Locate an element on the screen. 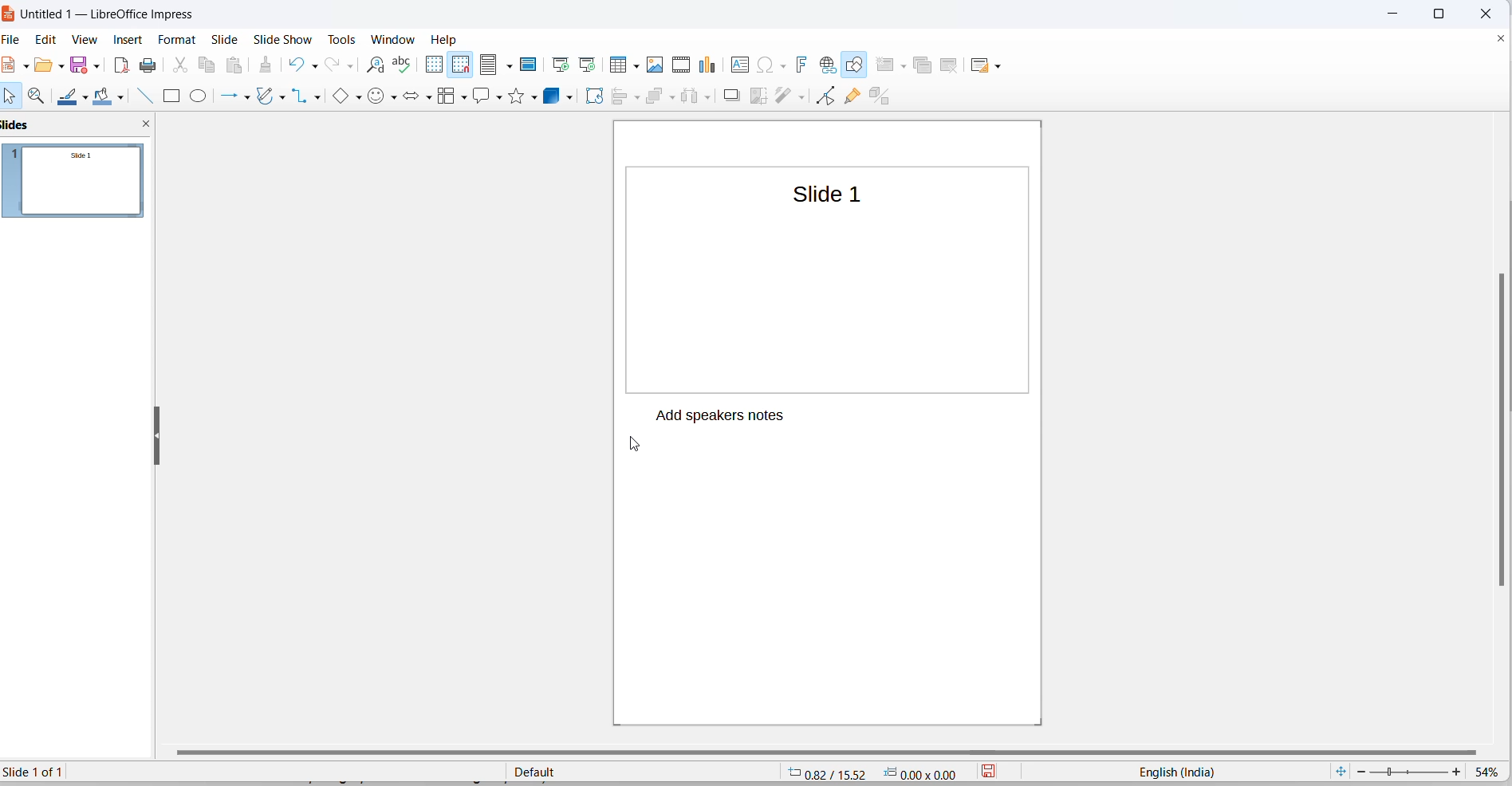 This screenshot has height=786, width=1512. copy is located at coordinates (208, 65).